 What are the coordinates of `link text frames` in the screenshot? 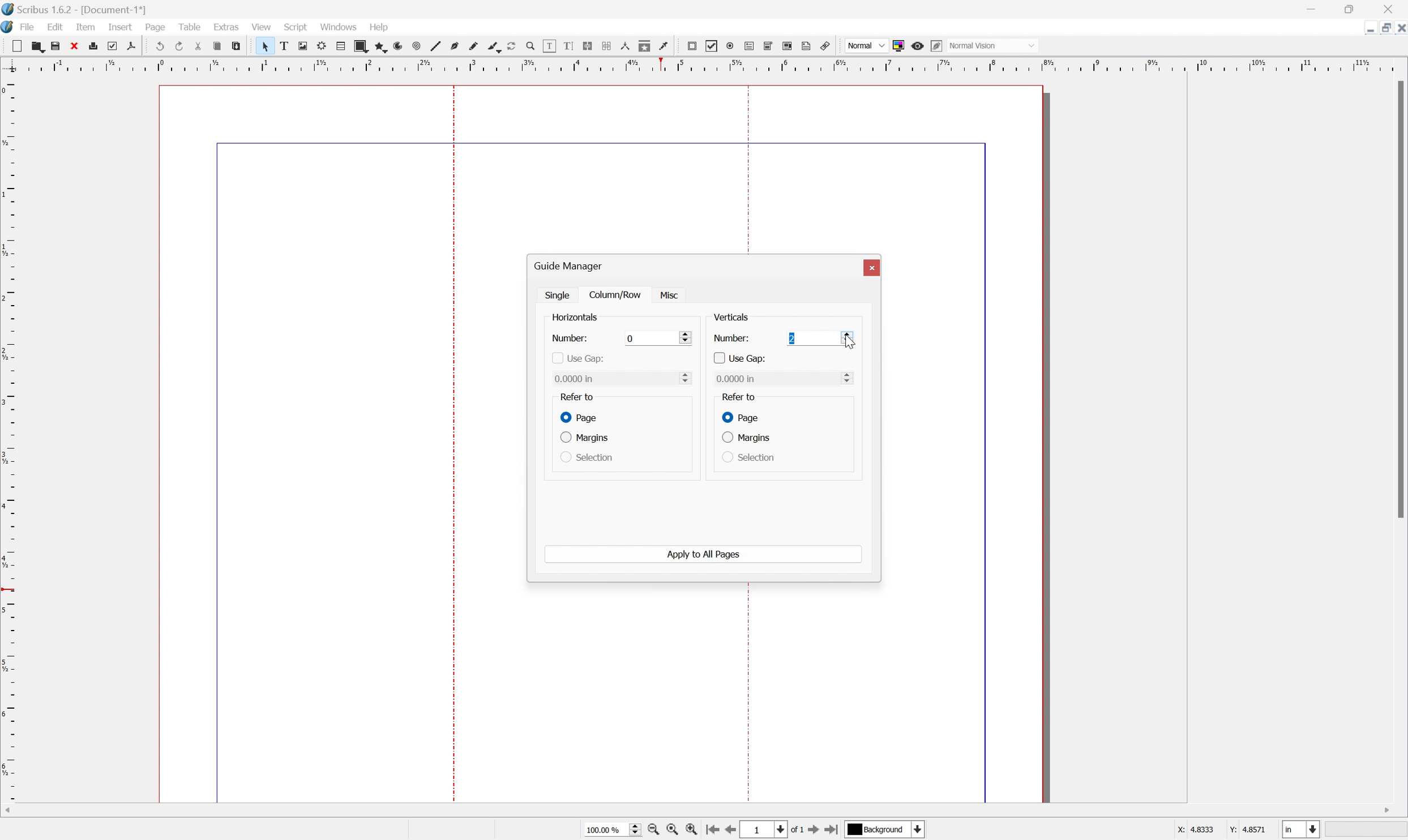 It's located at (588, 45).